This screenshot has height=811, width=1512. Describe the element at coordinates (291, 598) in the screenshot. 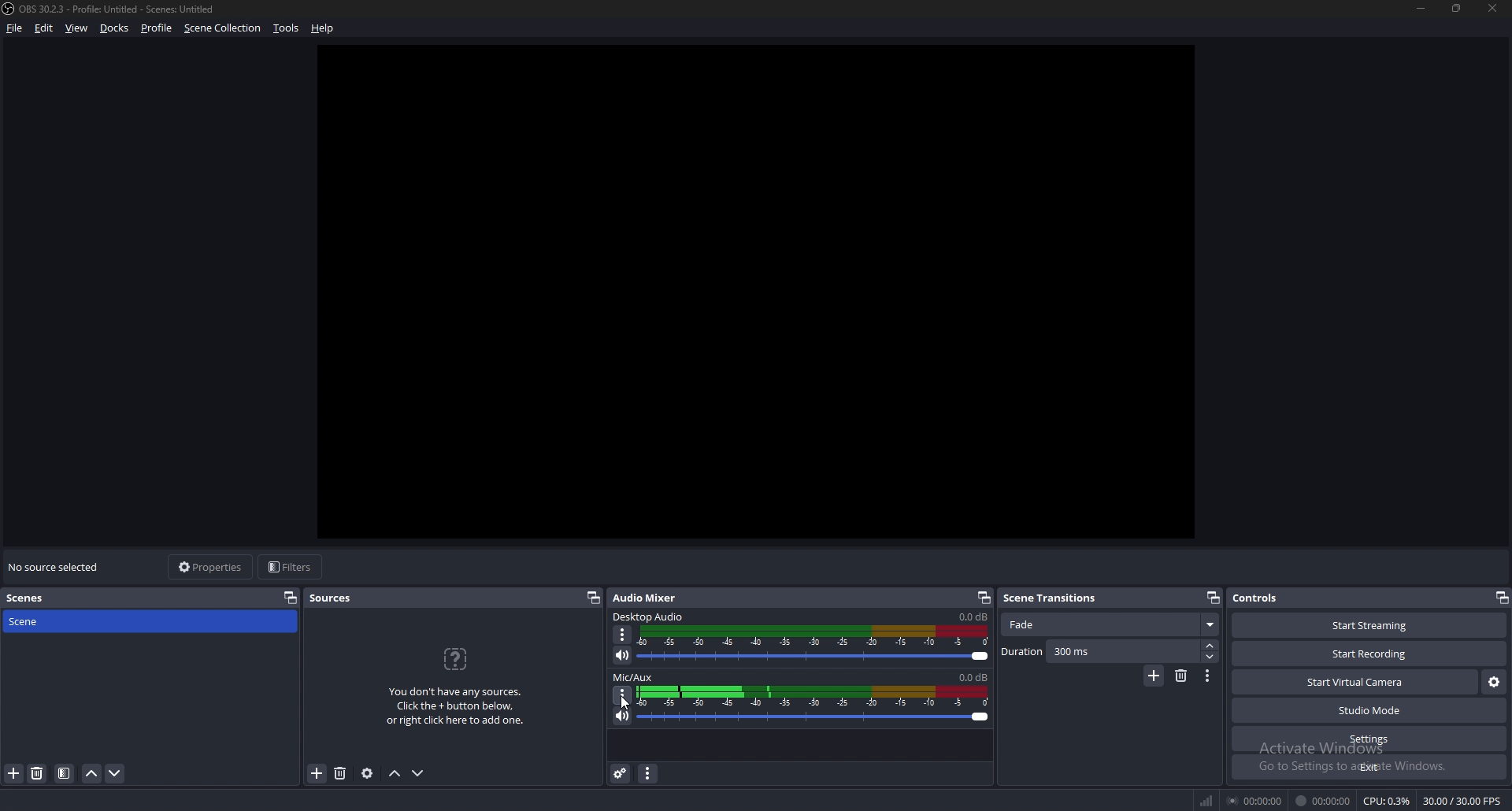

I see `properties` at that location.